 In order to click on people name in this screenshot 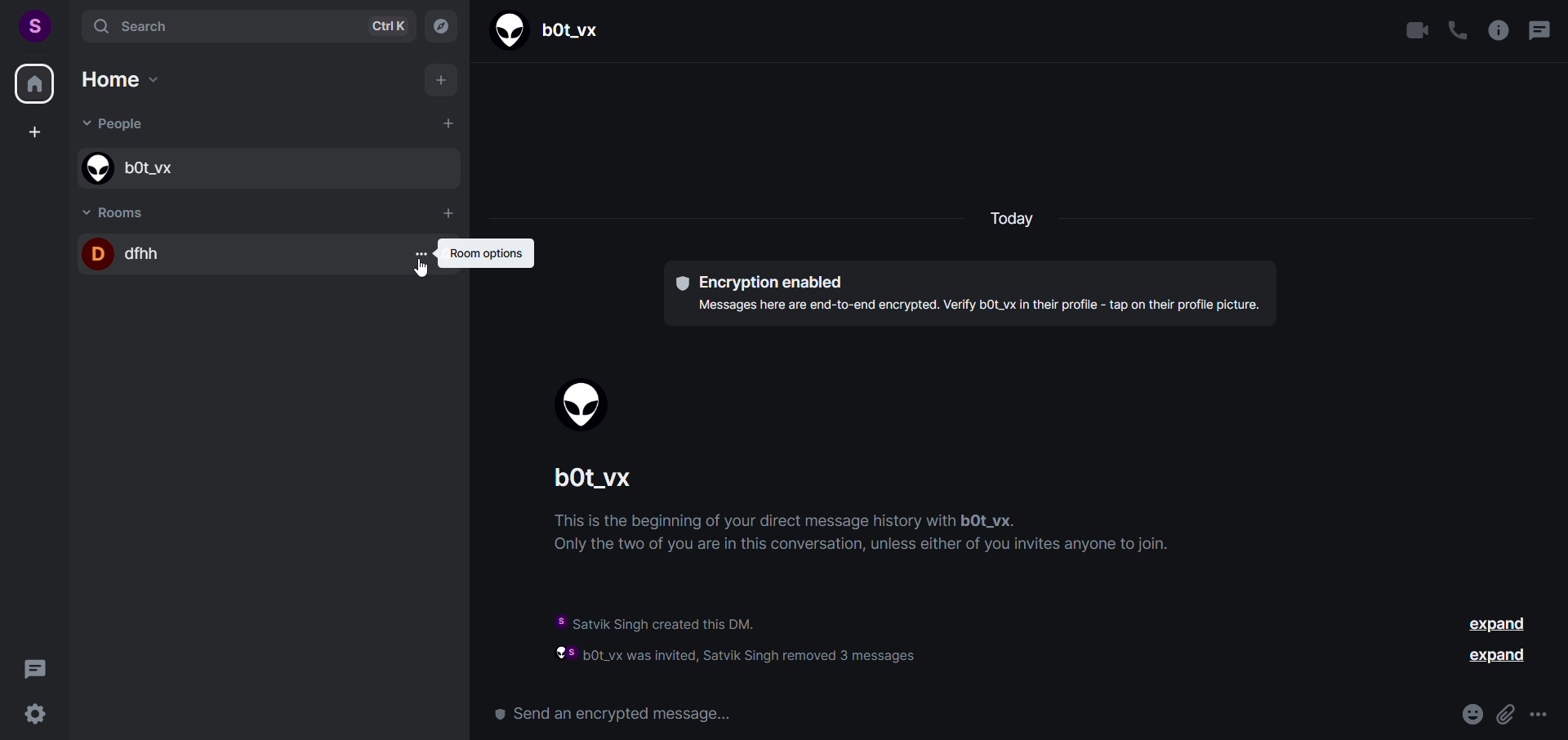, I will do `click(604, 480)`.